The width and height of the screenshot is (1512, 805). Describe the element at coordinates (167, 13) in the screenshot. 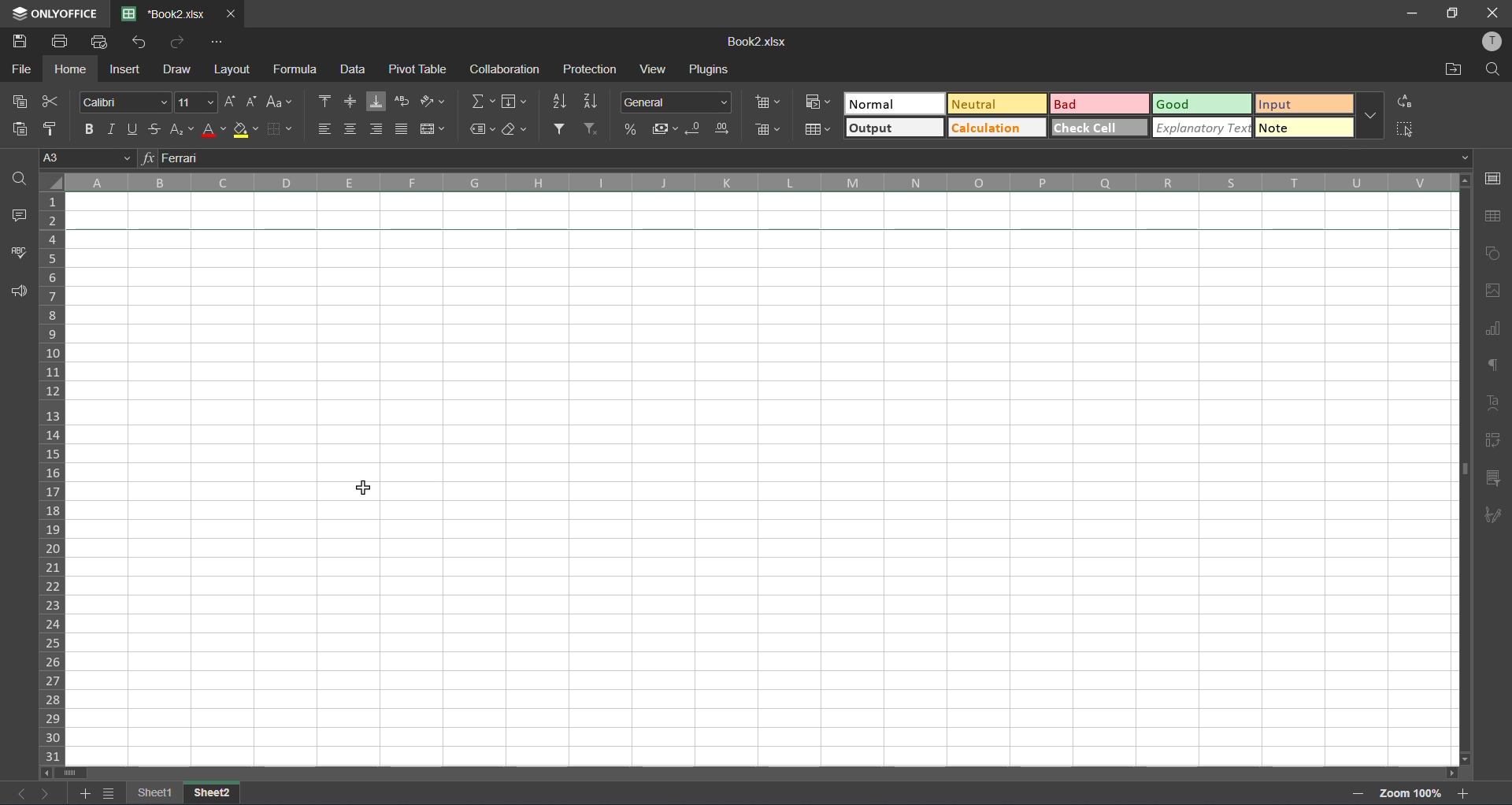

I see `file name` at that location.